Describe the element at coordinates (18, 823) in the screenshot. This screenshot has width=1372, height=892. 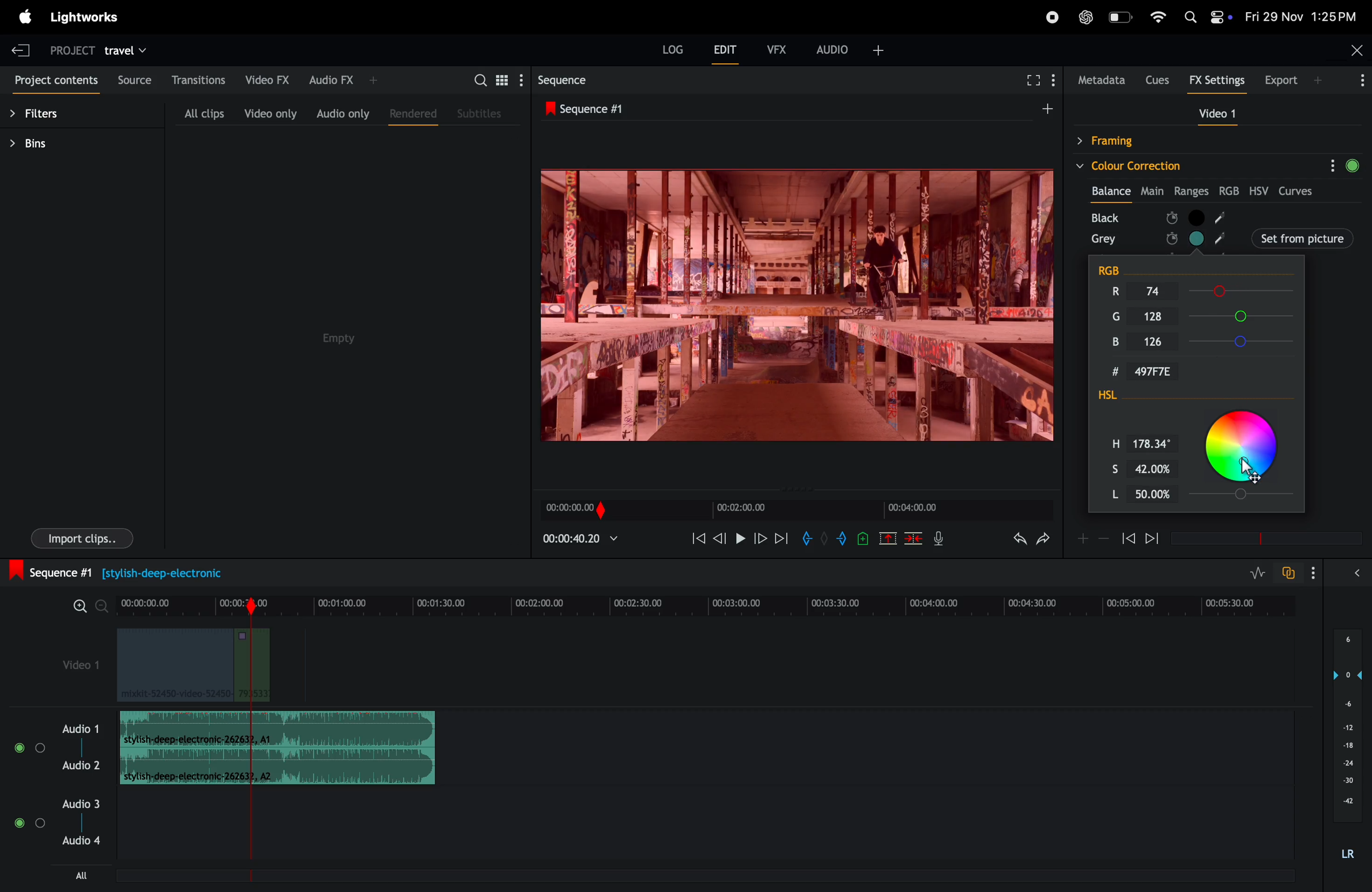
I see `toggle` at that location.